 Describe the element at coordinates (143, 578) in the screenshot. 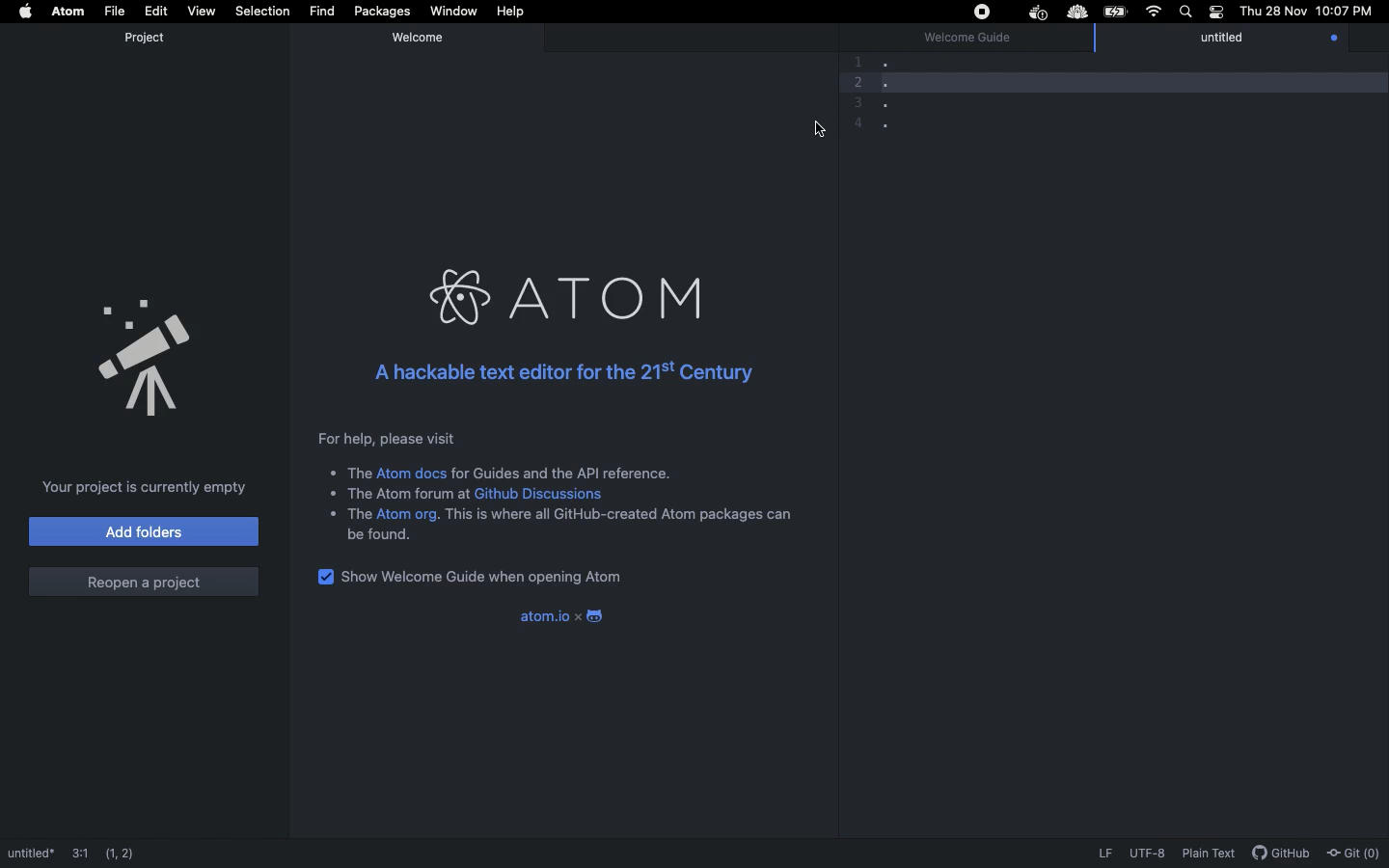

I see `Reopen a project` at that location.